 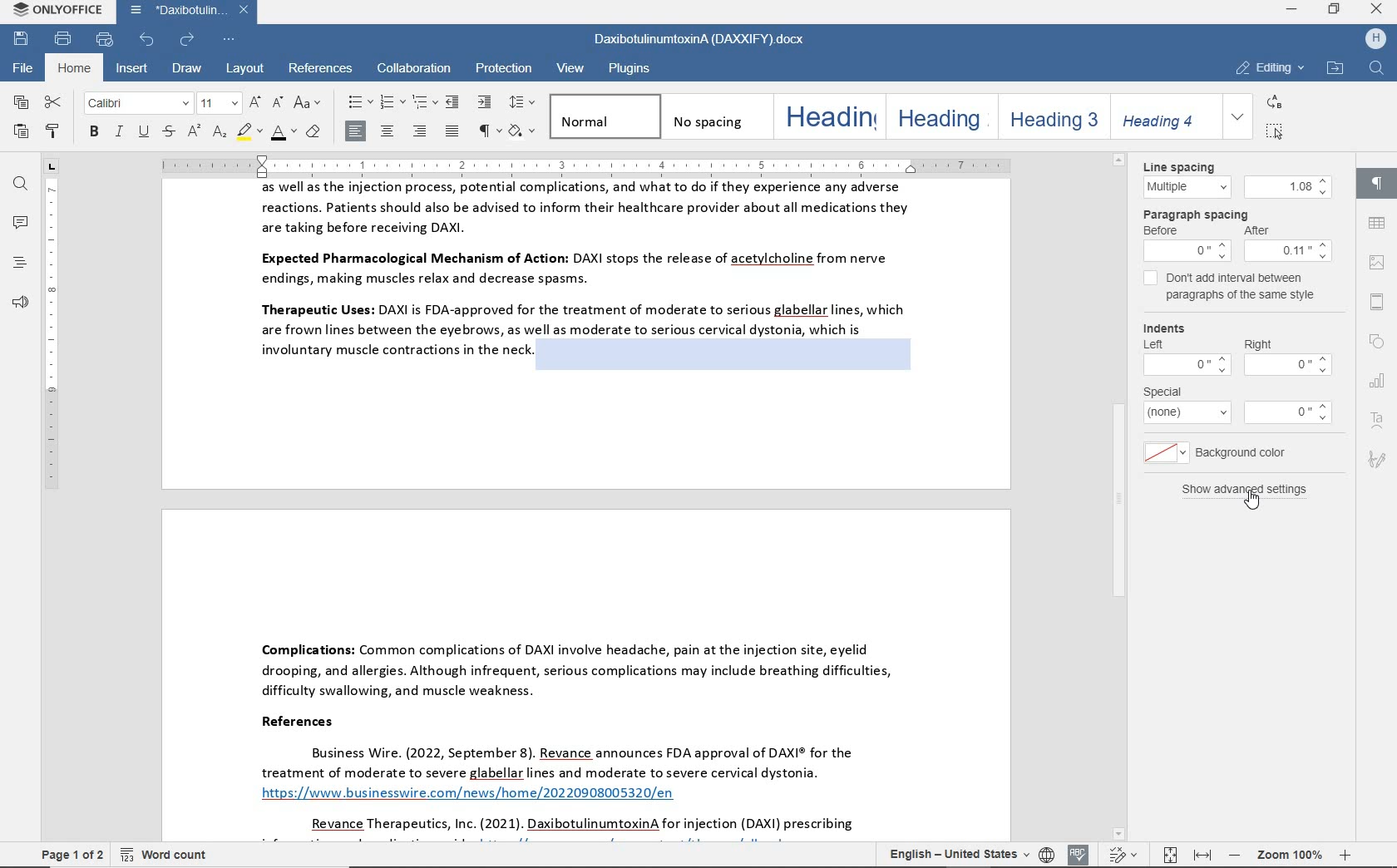 I want to click on increase indent, so click(x=486, y=102).